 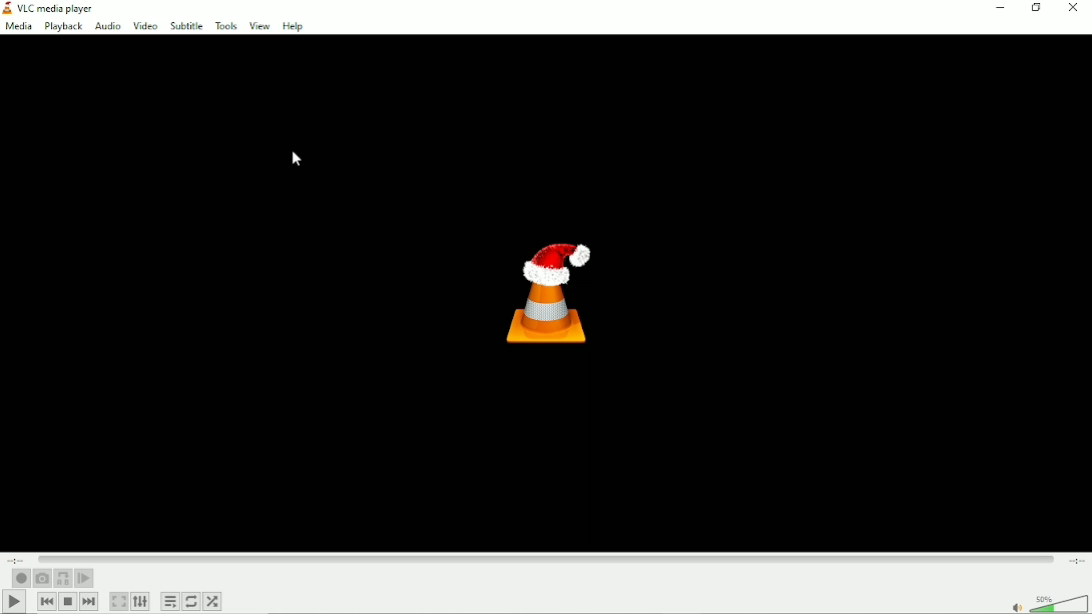 What do you see at coordinates (999, 8) in the screenshot?
I see `Minimize` at bounding box center [999, 8].